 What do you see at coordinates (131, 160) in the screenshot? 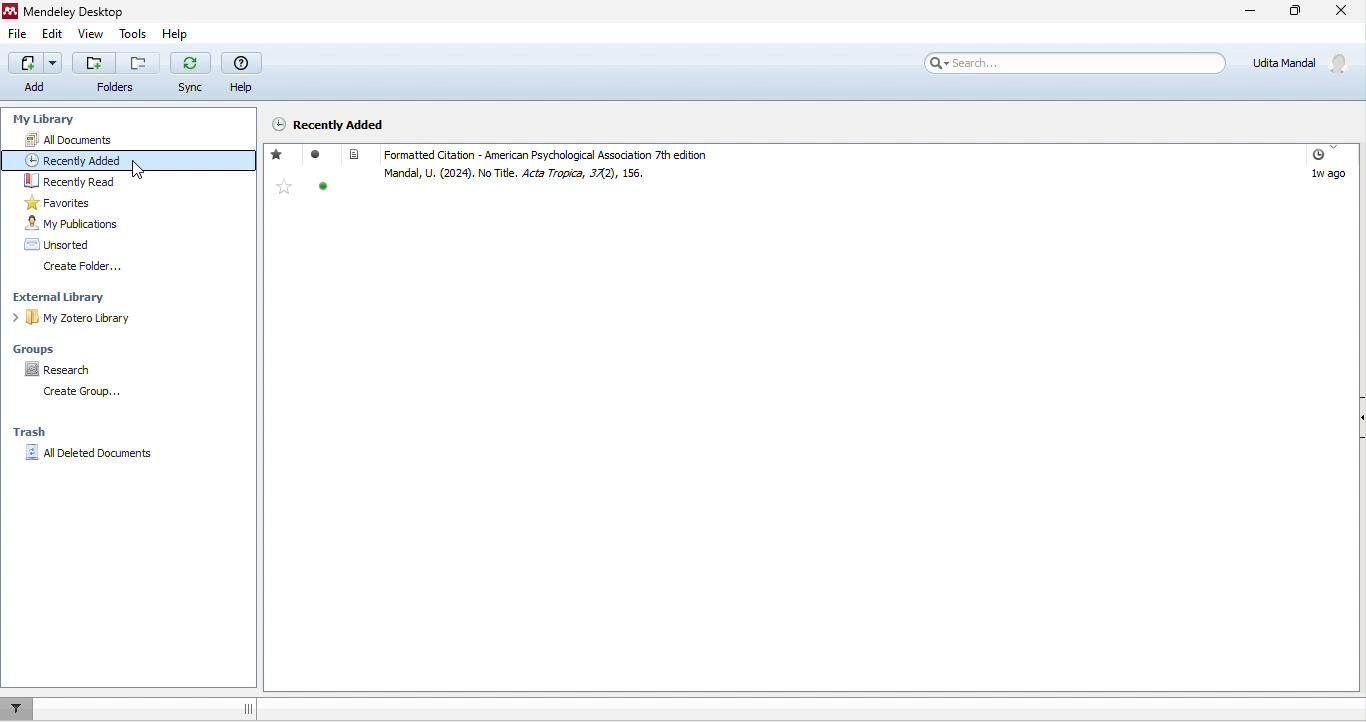
I see `recently added selecct` at bounding box center [131, 160].